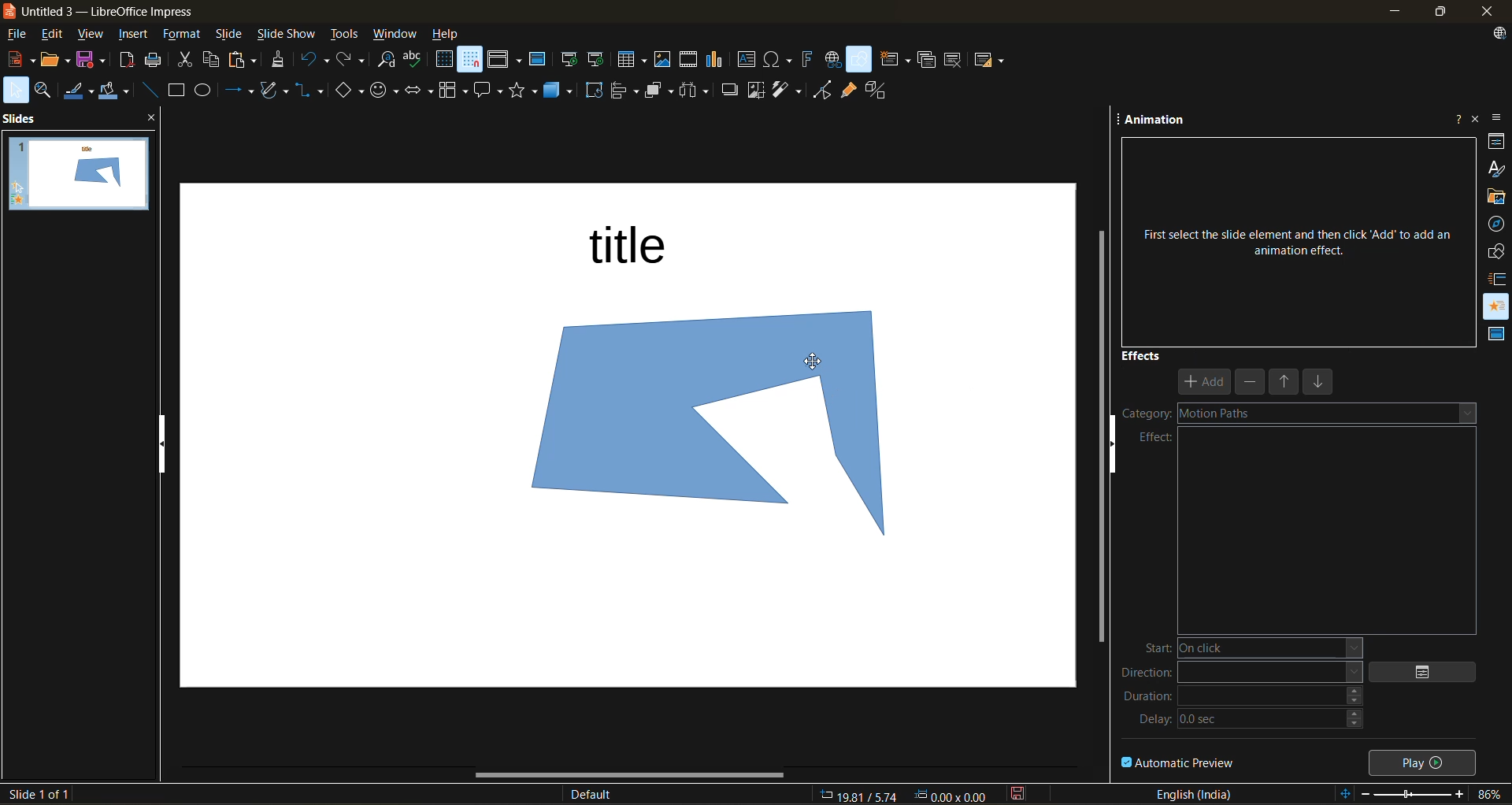  Describe the element at coordinates (1180, 762) in the screenshot. I see `automatic preview` at that location.